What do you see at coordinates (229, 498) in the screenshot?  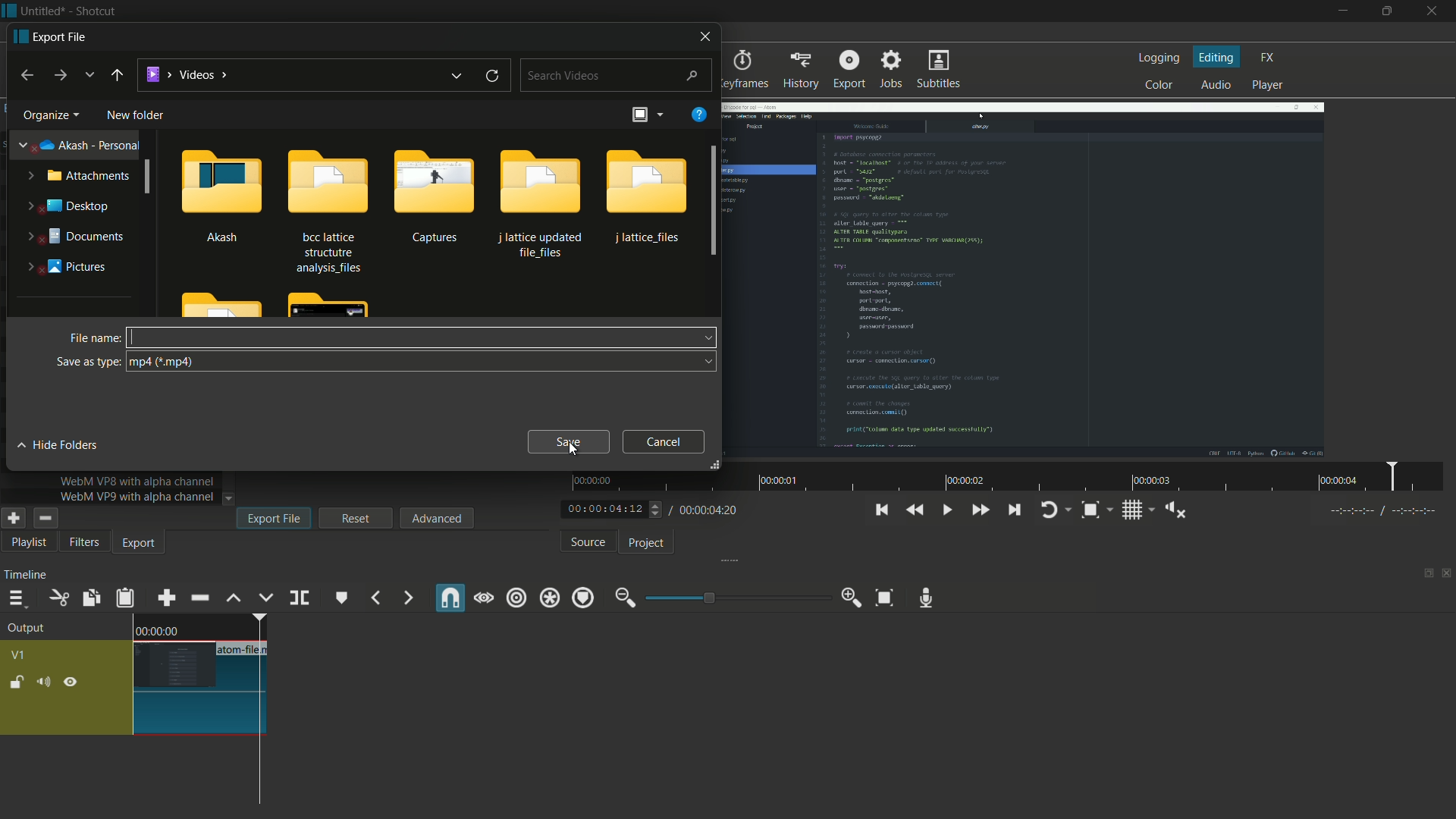 I see `dropdown` at bounding box center [229, 498].